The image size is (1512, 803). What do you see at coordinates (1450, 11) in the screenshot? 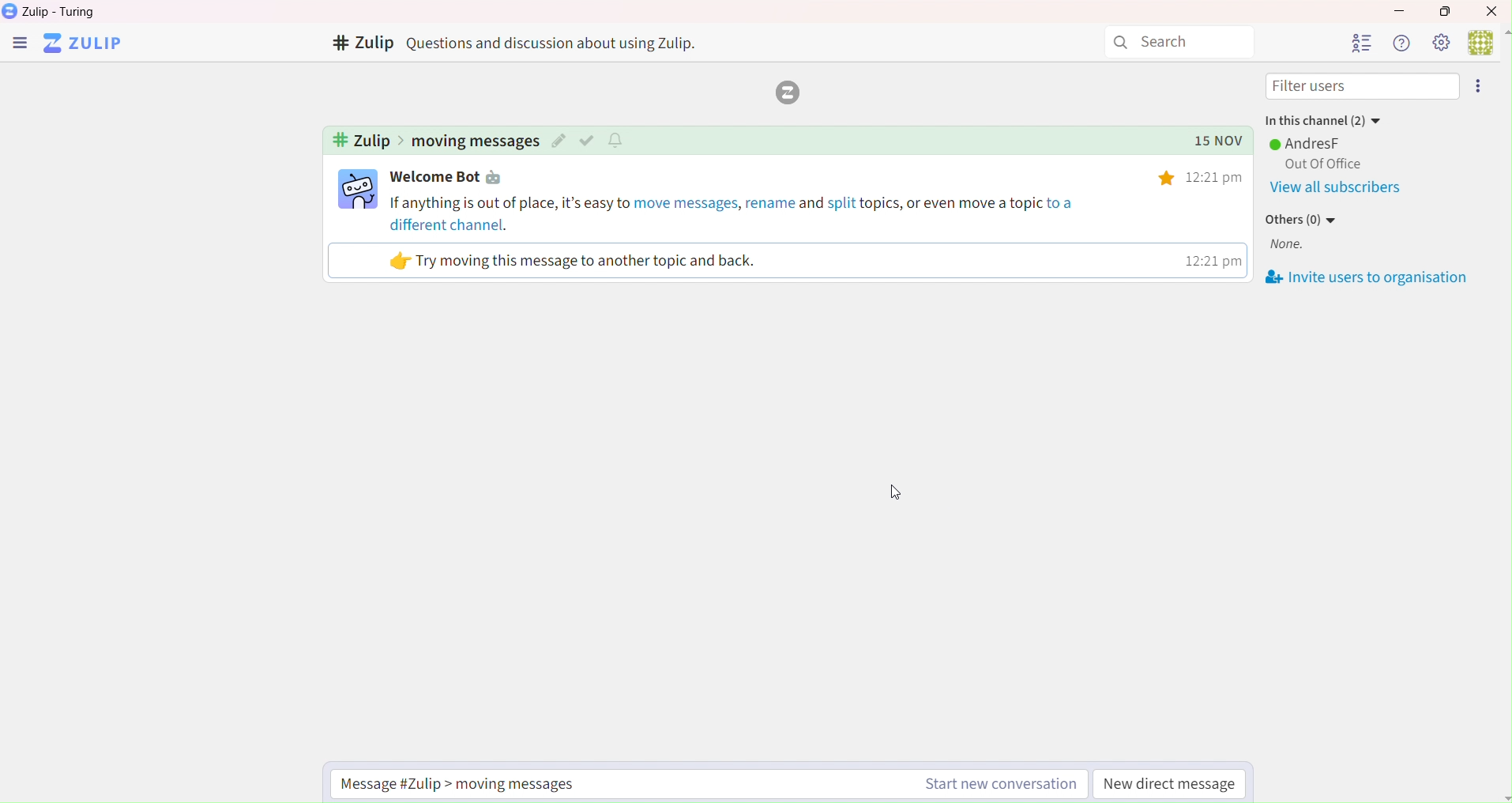
I see `Box` at bounding box center [1450, 11].